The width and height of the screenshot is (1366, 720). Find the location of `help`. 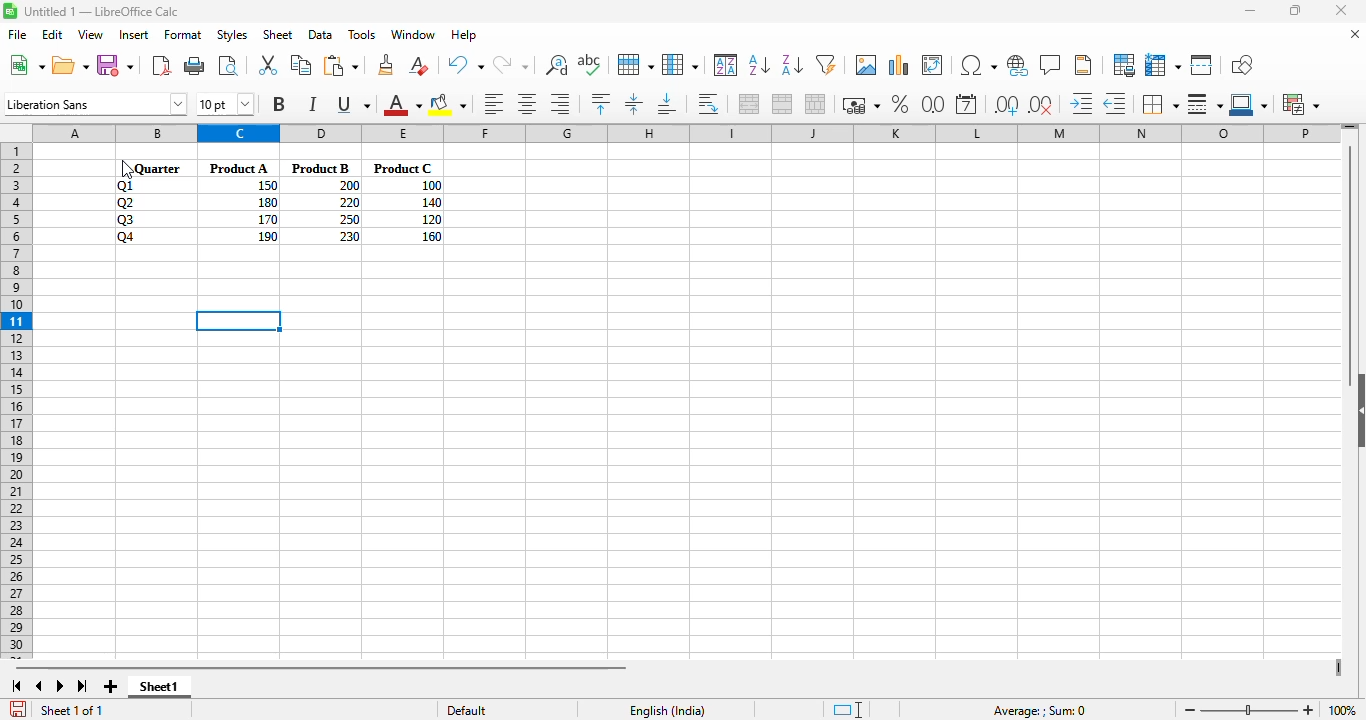

help is located at coordinates (464, 35).